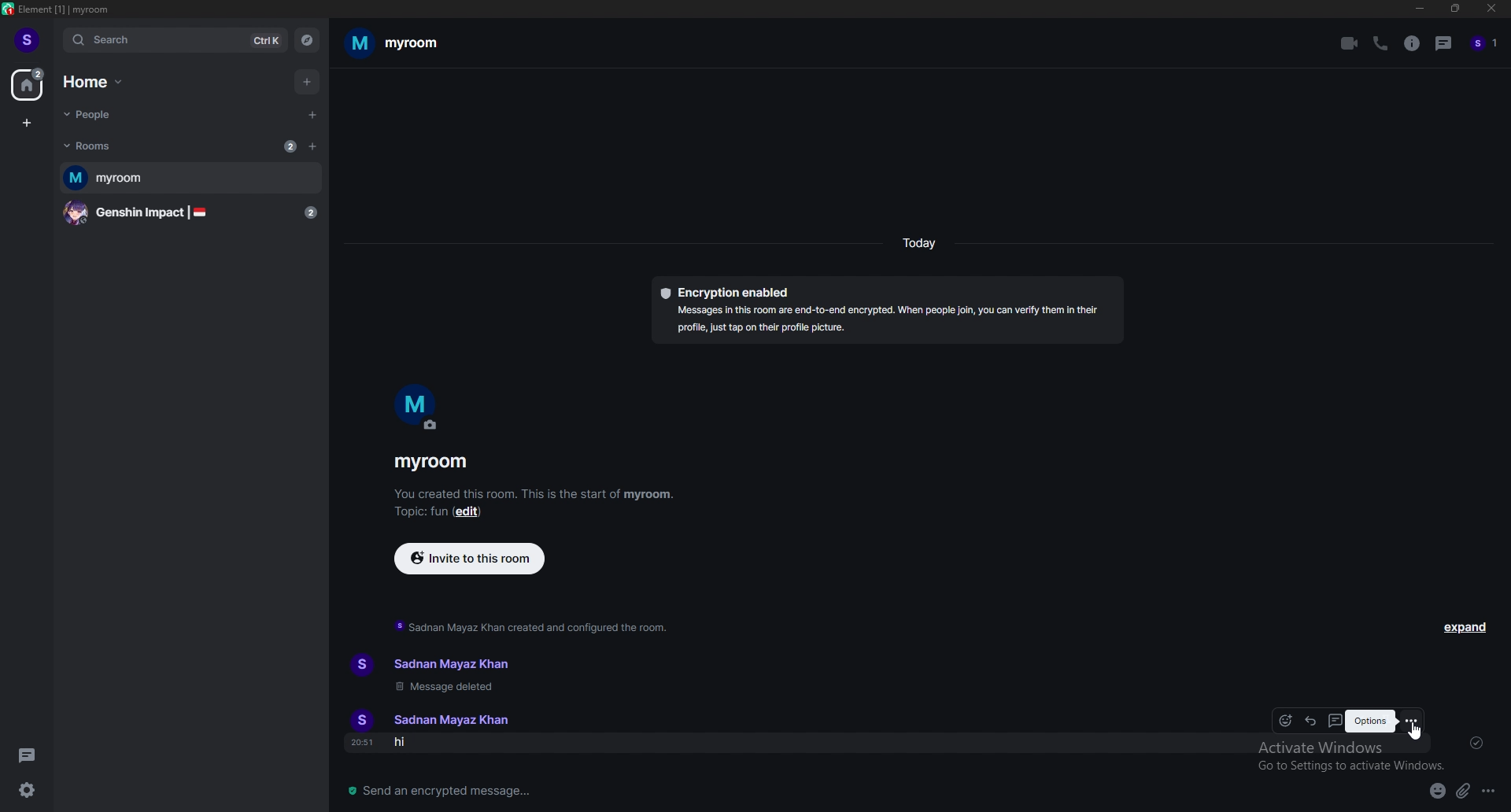 This screenshot has height=812, width=1511. I want to click on room photo, so click(419, 408).